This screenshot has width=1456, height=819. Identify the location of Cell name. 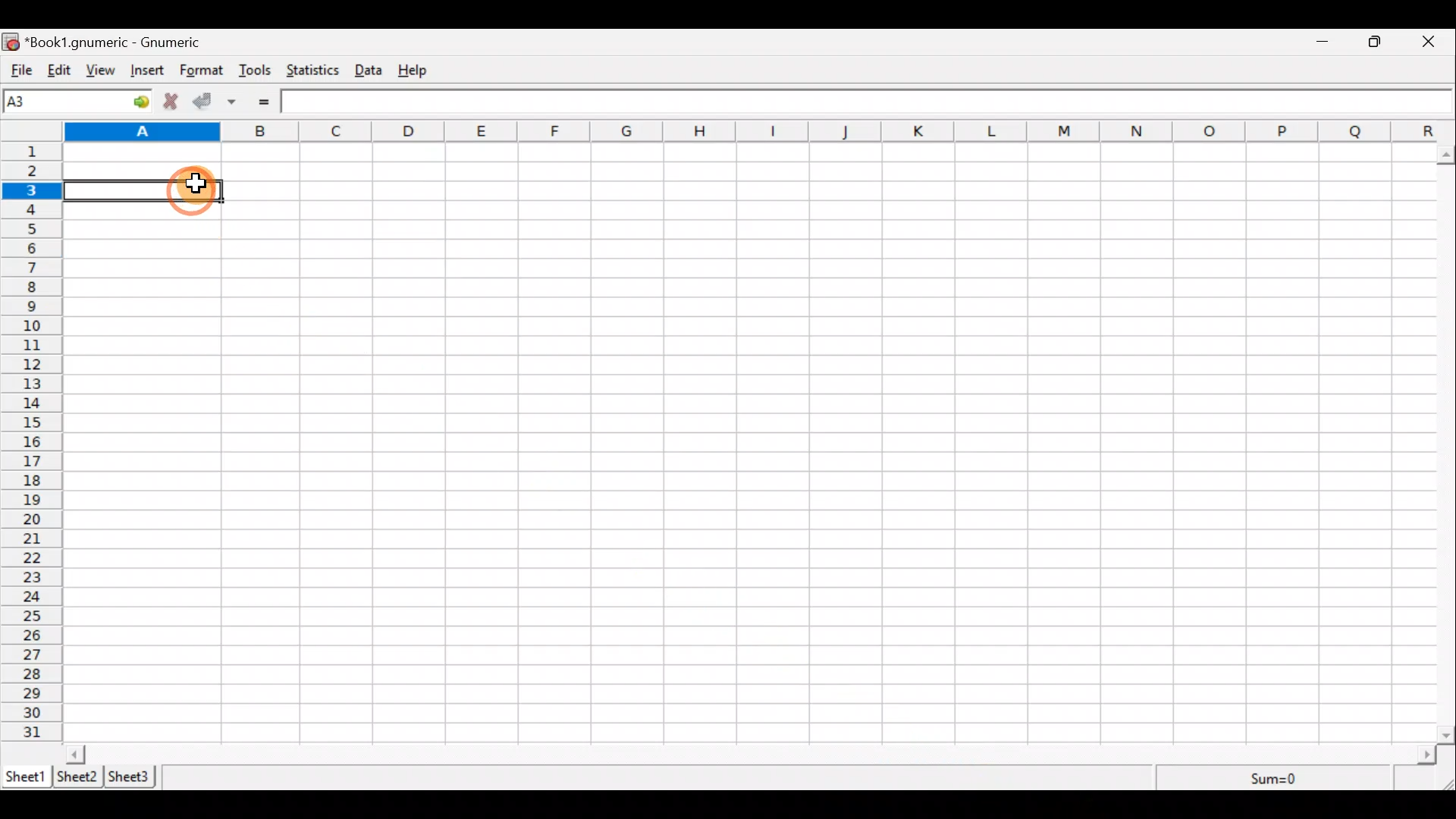
(78, 101).